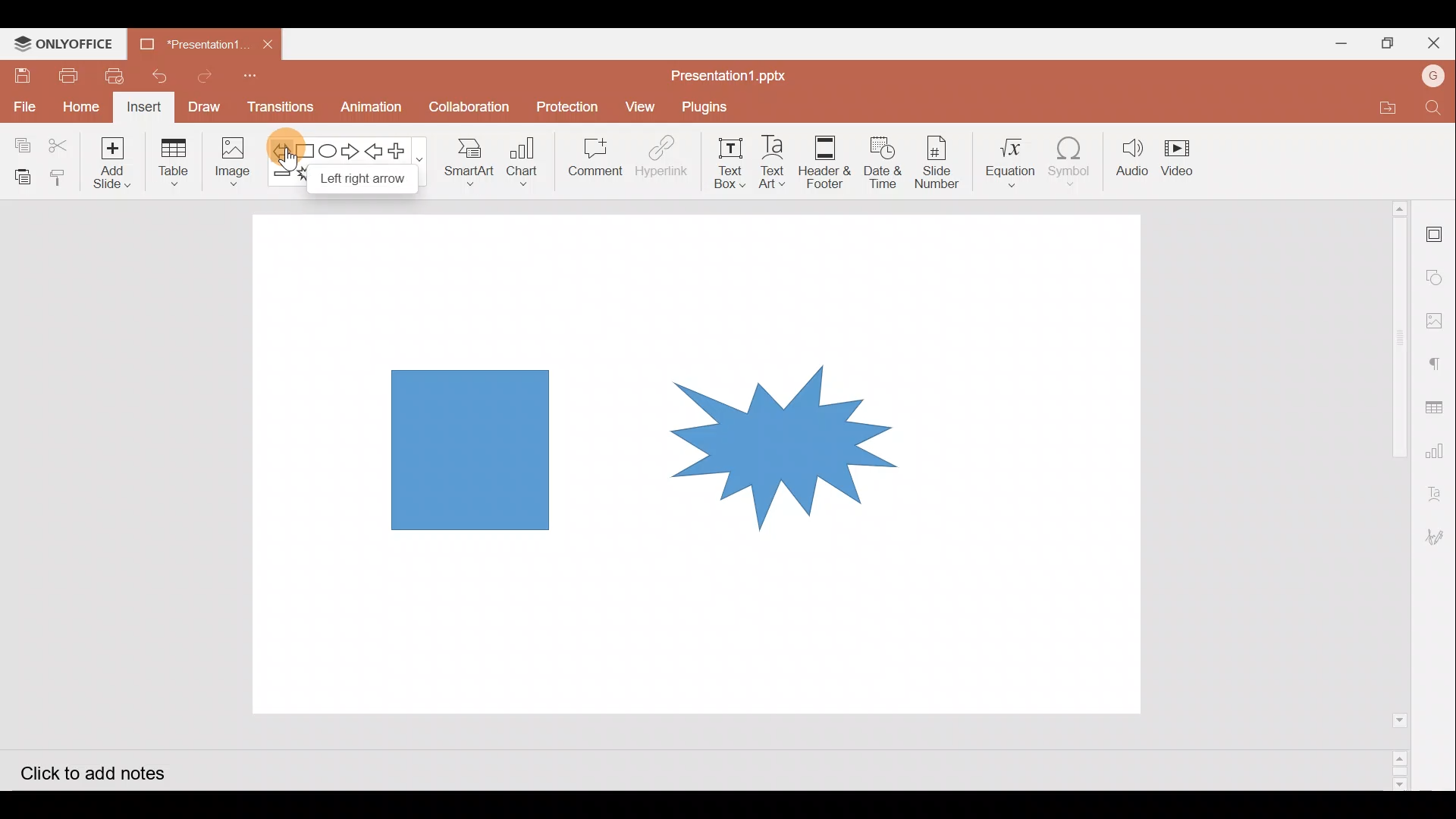  Describe the element at coordinates (755, 428) in the screenshot. I see `Explosion` at that location.